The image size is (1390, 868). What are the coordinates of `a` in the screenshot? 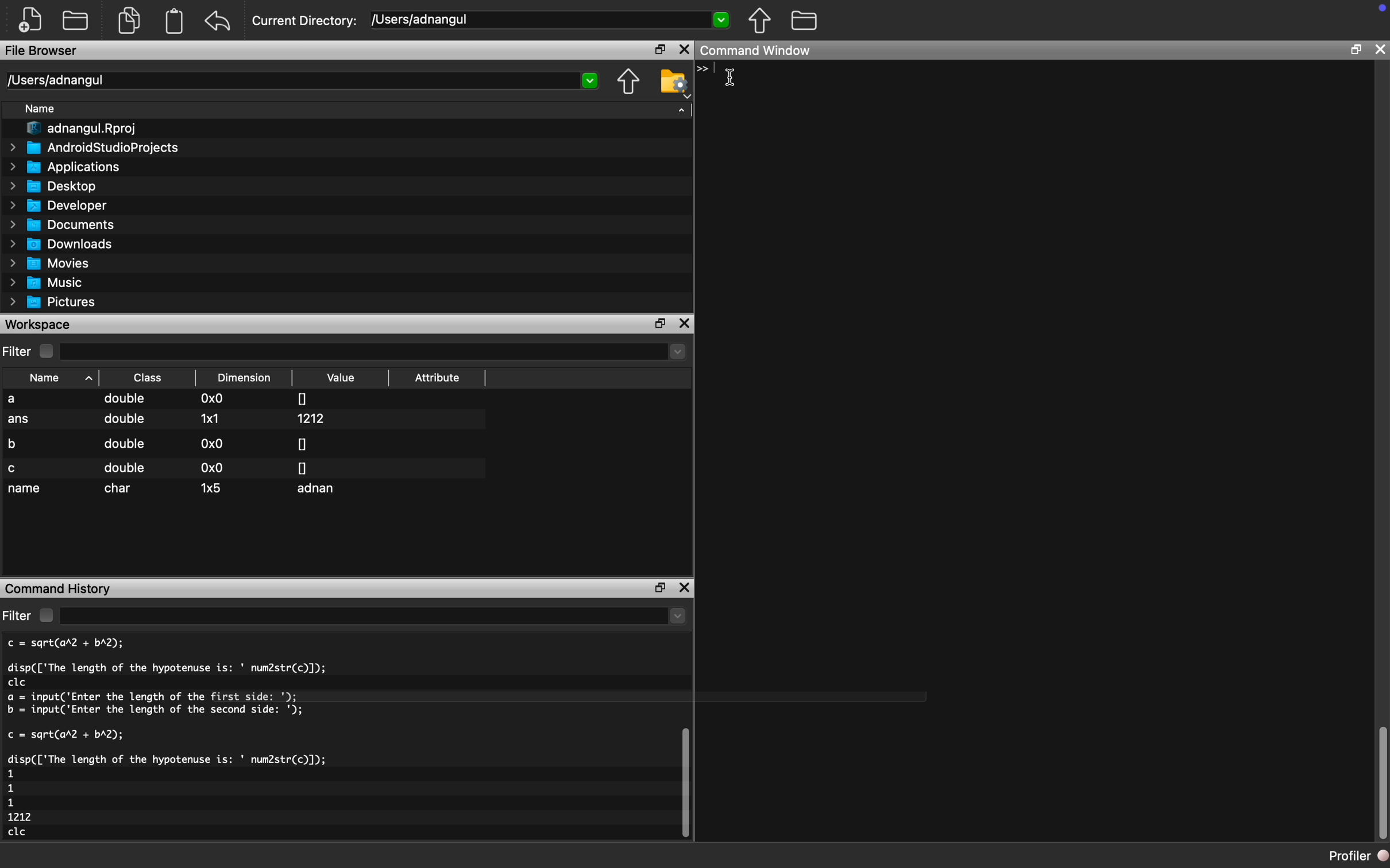 It's located at (21, 400).